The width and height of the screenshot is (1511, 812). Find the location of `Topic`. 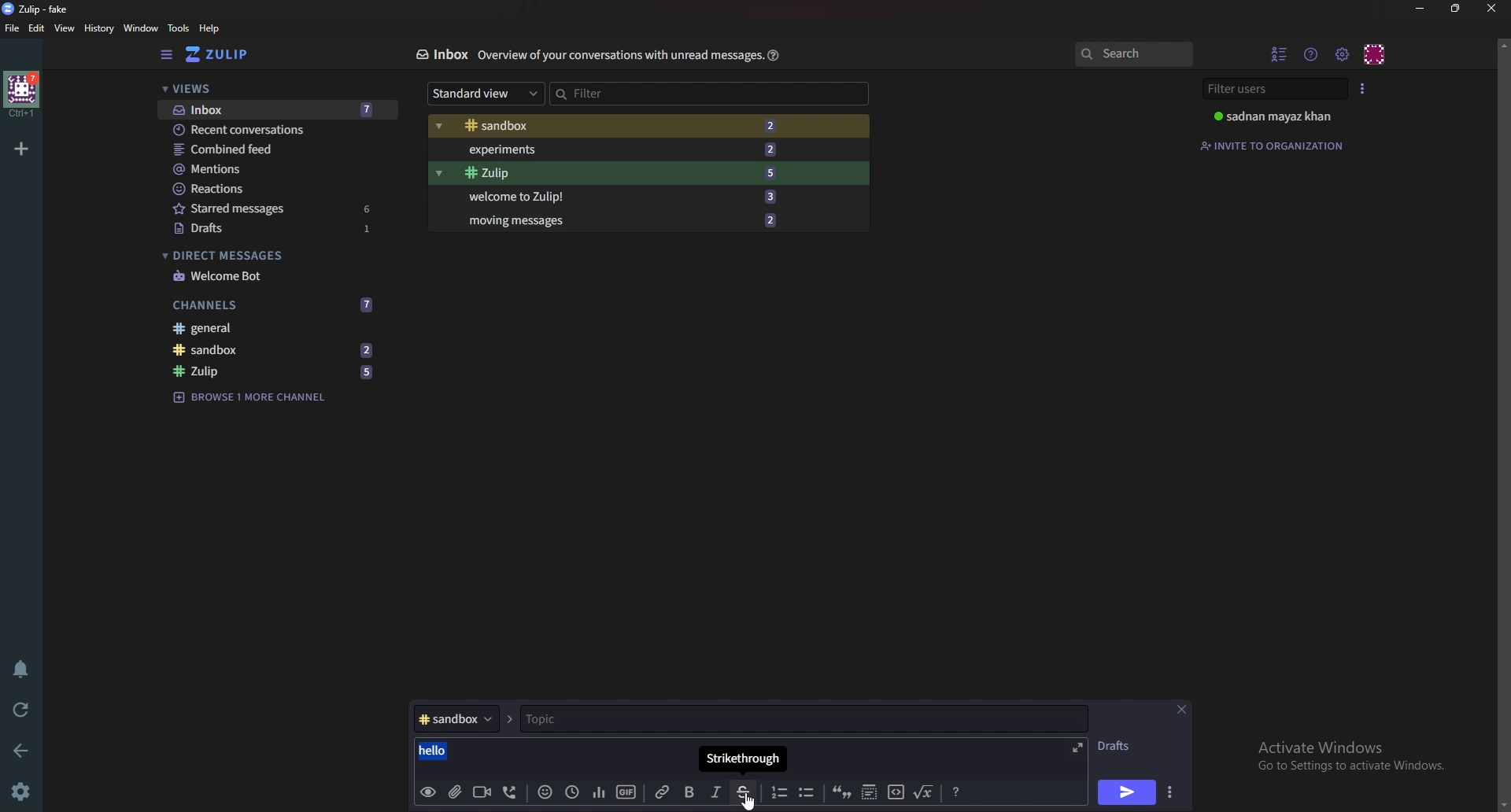

Topic is located at coordinates (608, 719).